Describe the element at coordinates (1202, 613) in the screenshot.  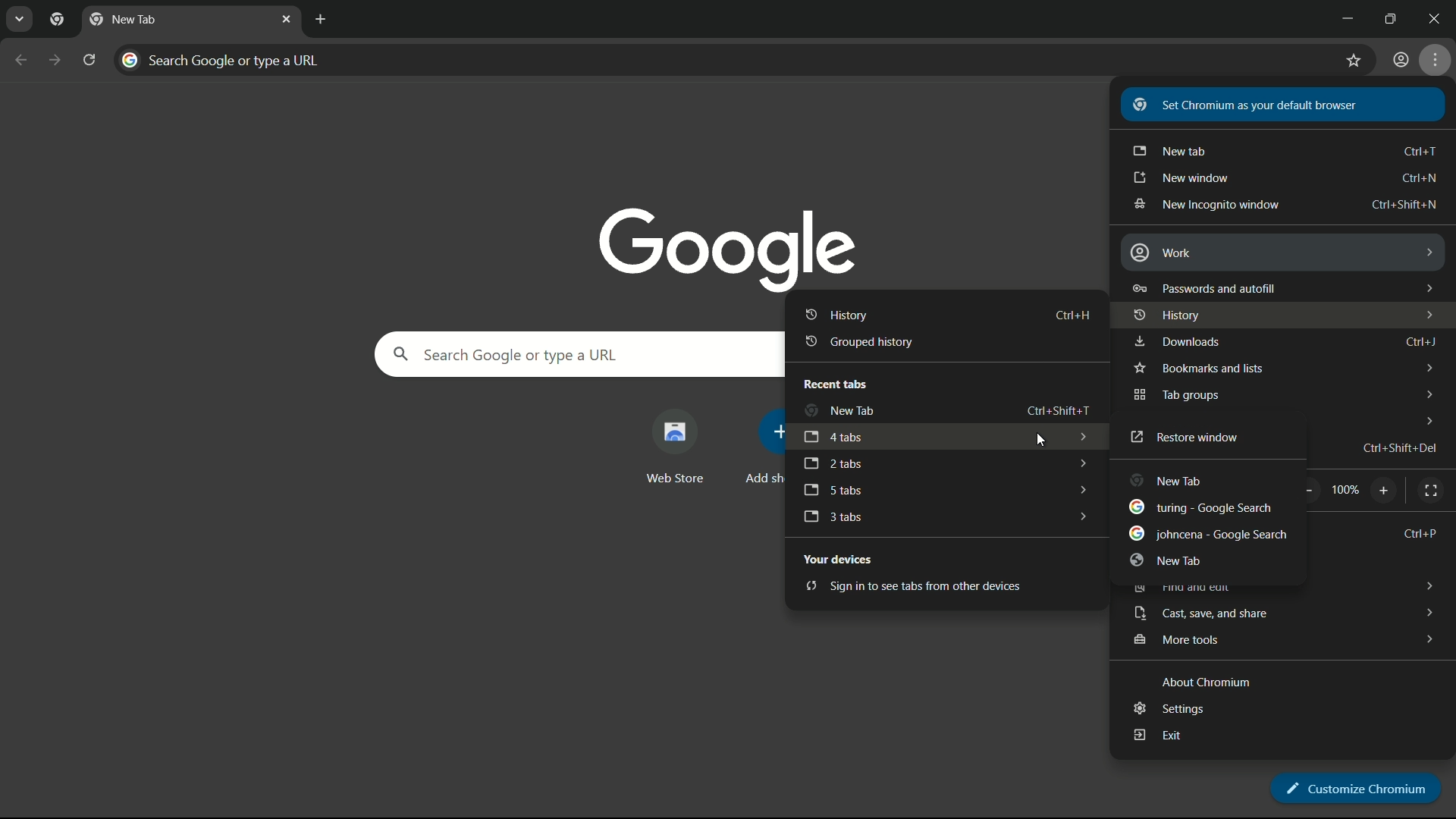
I see `cast save and share` at that location.